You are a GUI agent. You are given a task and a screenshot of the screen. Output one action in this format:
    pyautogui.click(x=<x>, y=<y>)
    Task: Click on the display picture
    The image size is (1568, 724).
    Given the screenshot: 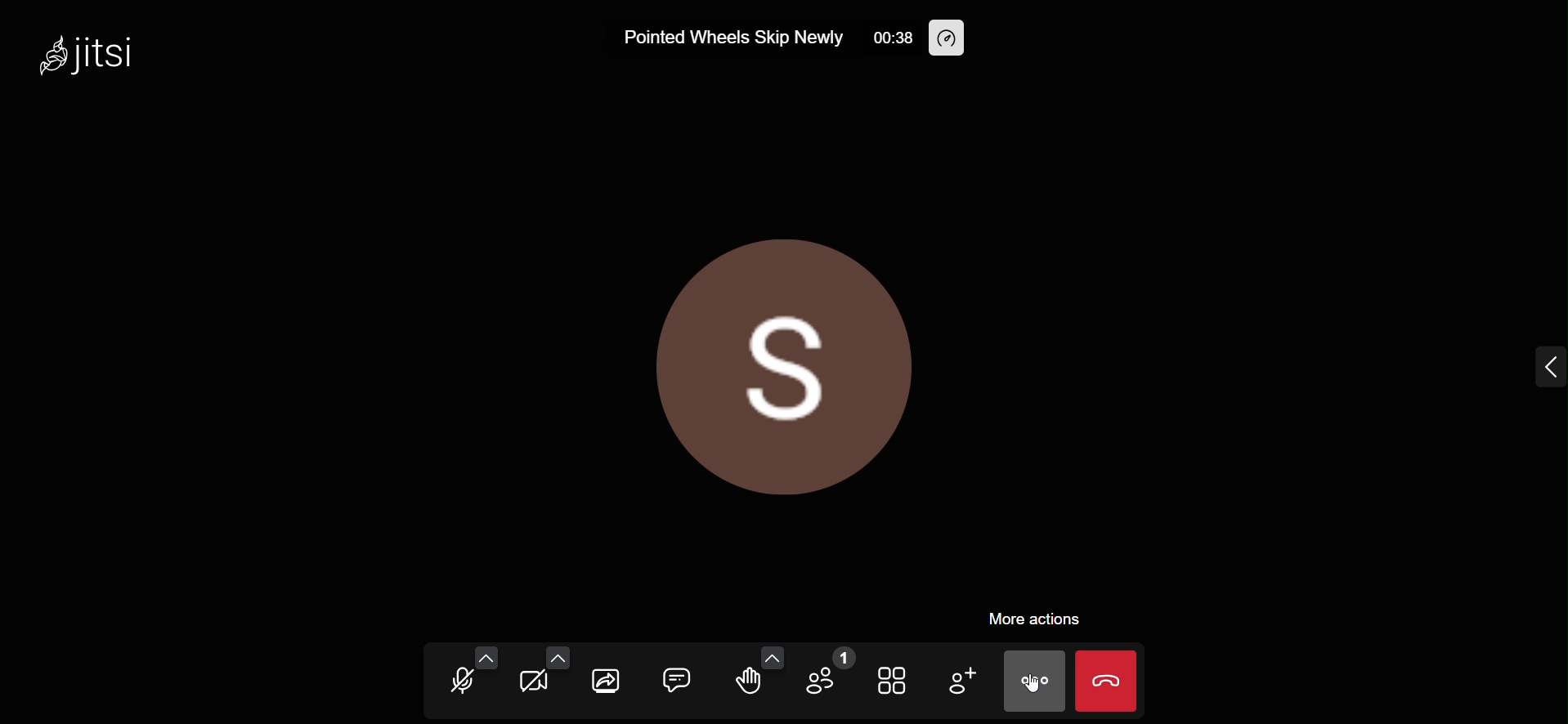 What is the action you would take?
    pyautogui.click(x=788, y=364)
    